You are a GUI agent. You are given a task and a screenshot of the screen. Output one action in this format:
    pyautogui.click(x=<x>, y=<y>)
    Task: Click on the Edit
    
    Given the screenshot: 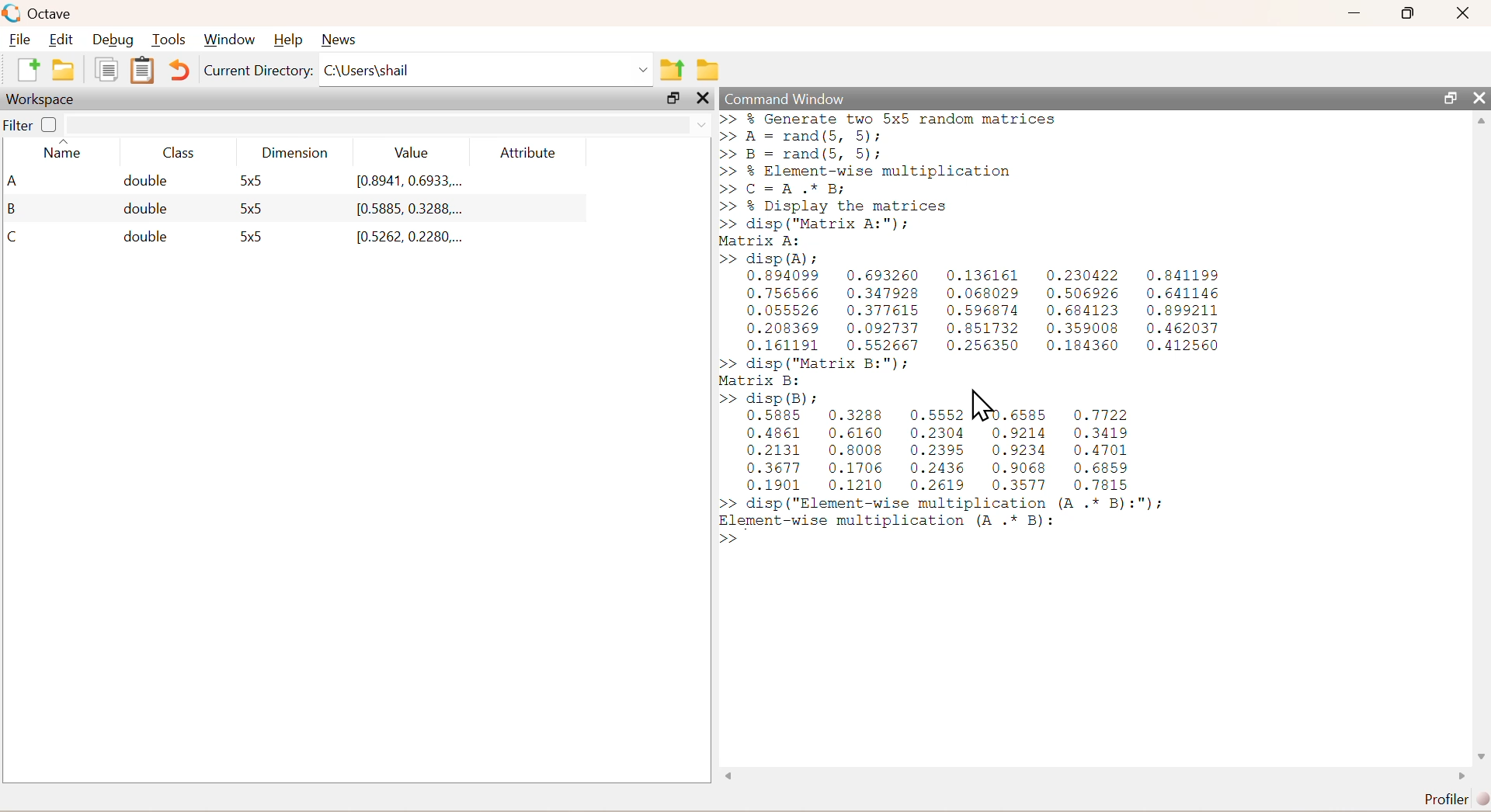 What is the action you would take?
    pyautogui.click(x=65, y=38)
    